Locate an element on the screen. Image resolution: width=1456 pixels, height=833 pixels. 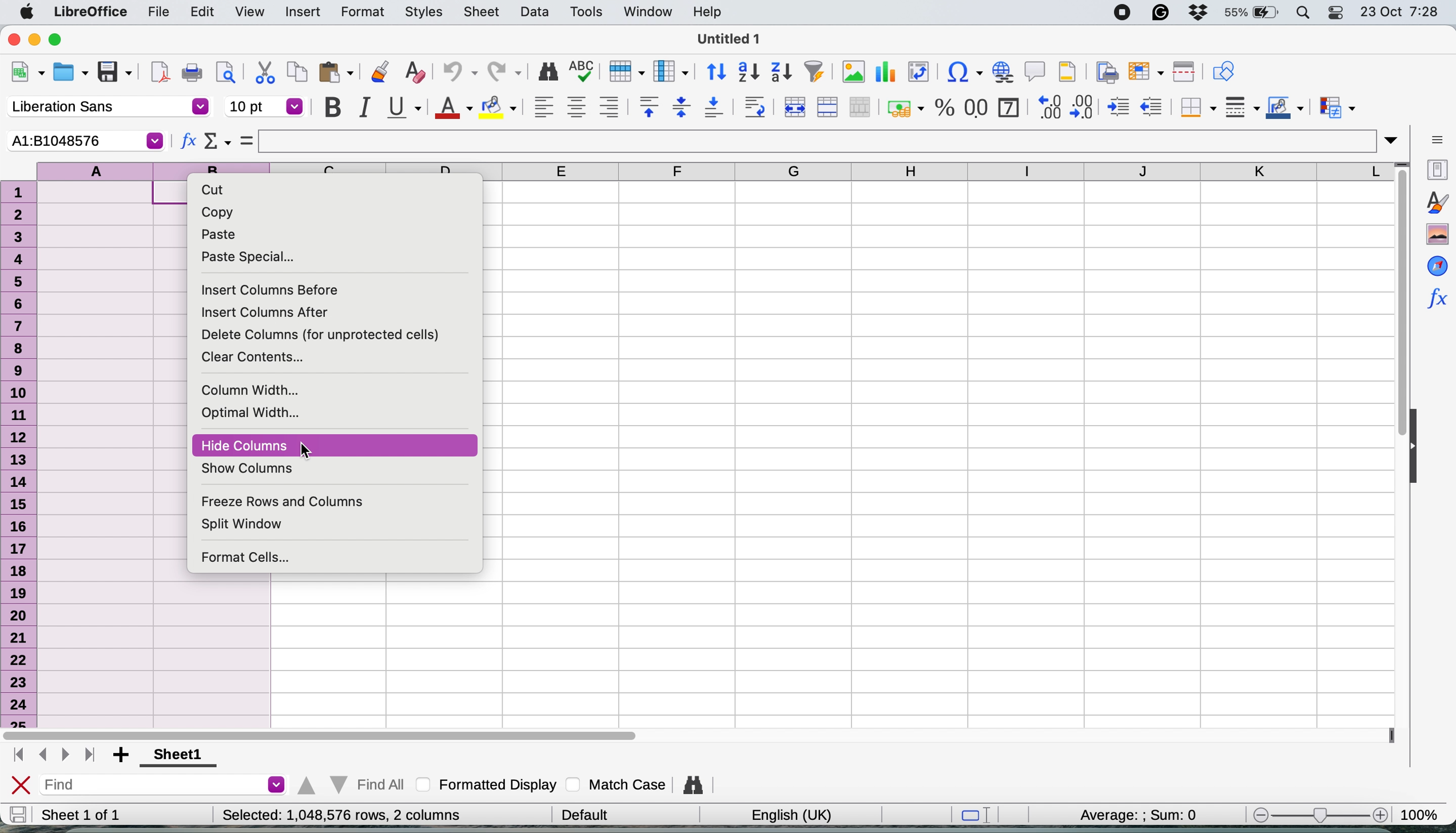
optimal width is located at coordinates (260, 413).